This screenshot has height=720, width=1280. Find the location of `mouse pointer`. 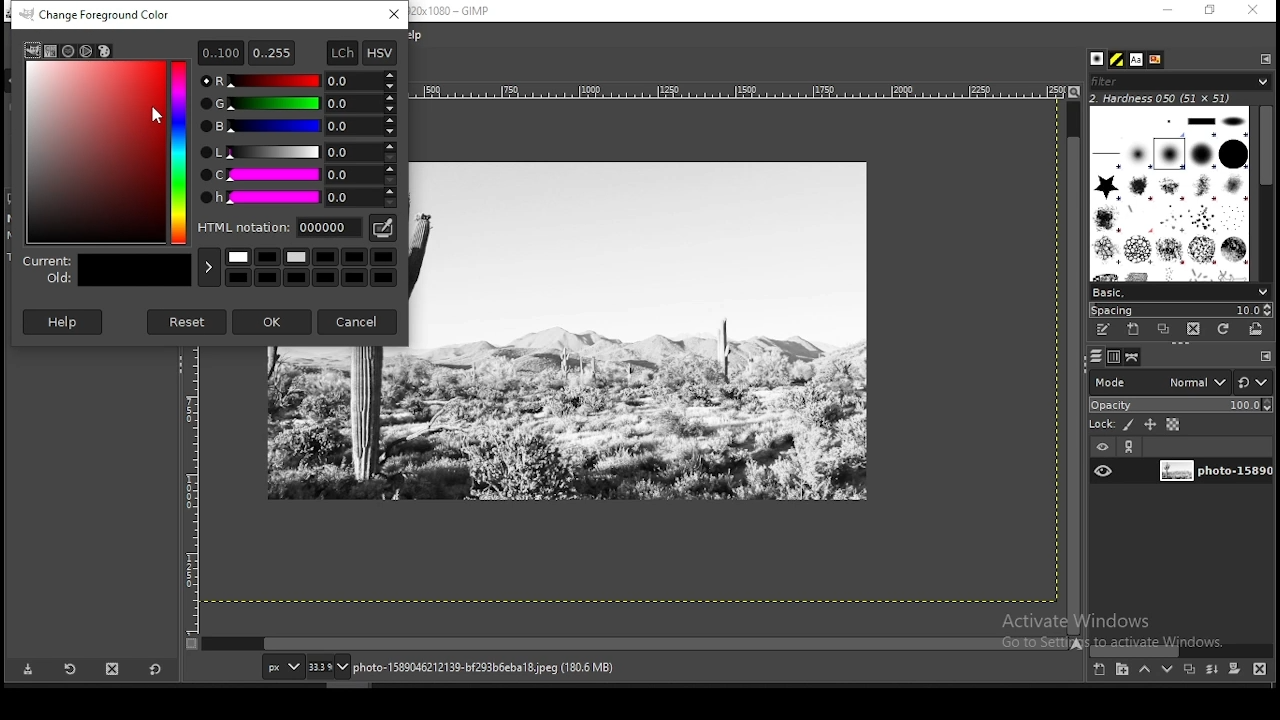

mouse pointer is located at coordinates (157, 116).